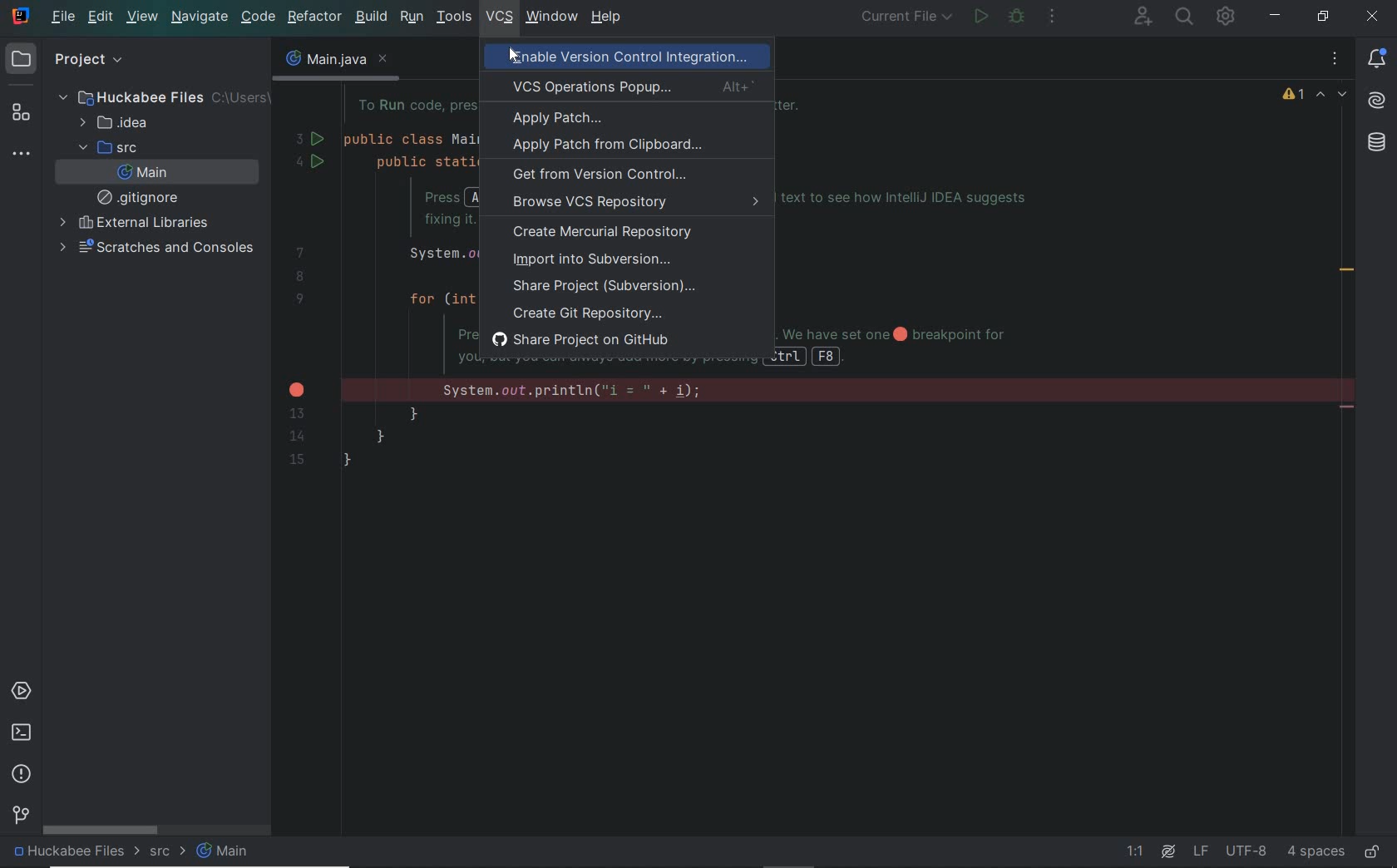 The height and width of the screenshot is (868, 1397). Describe the element at coordinates (101, 18) in the screenshot. I see `edit` at that location.